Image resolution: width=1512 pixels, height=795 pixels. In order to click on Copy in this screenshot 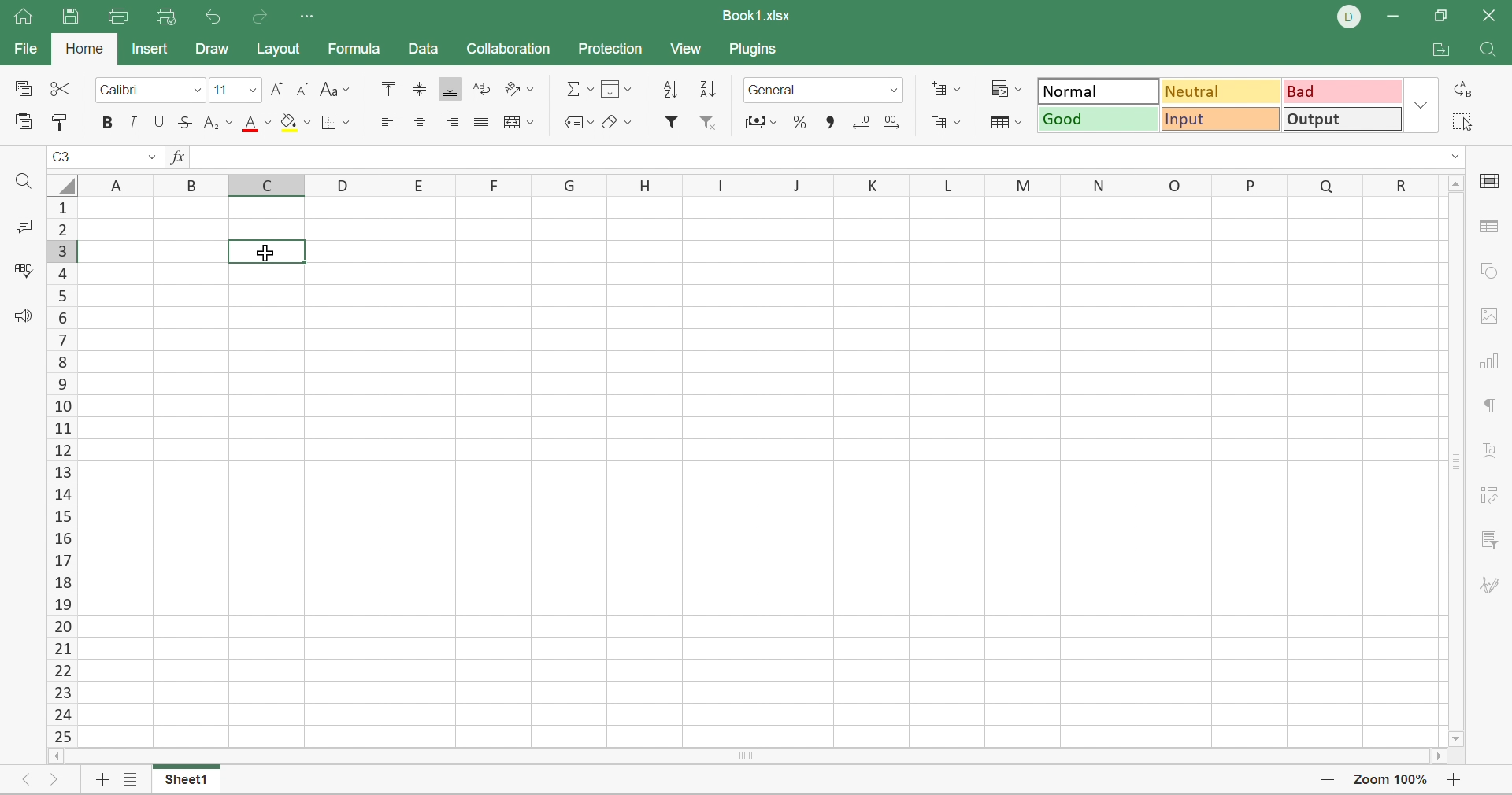, I will do `click(21, 87)`.